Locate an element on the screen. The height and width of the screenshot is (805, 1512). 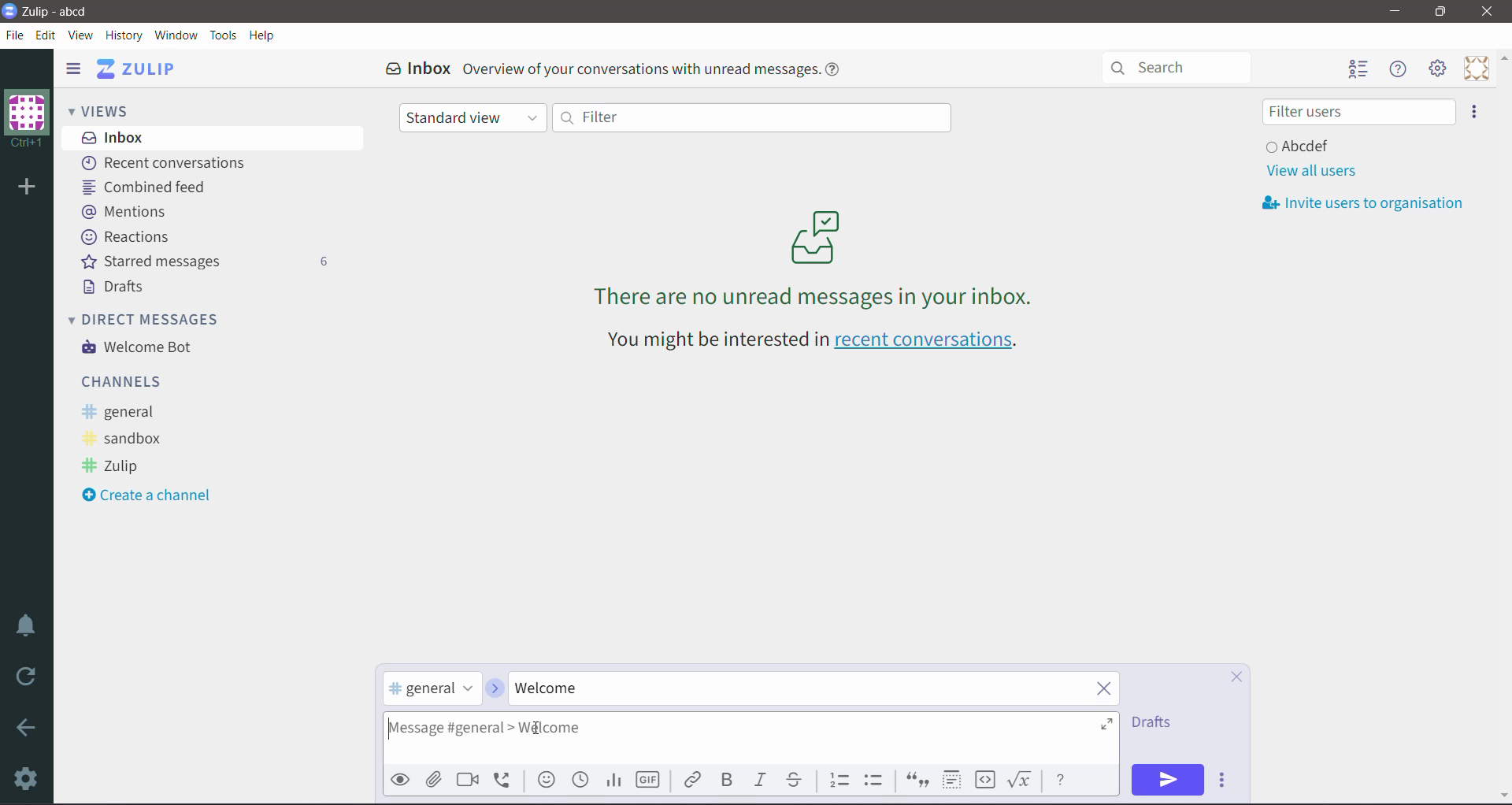
Add emoji is located at coordinates (547, 780).